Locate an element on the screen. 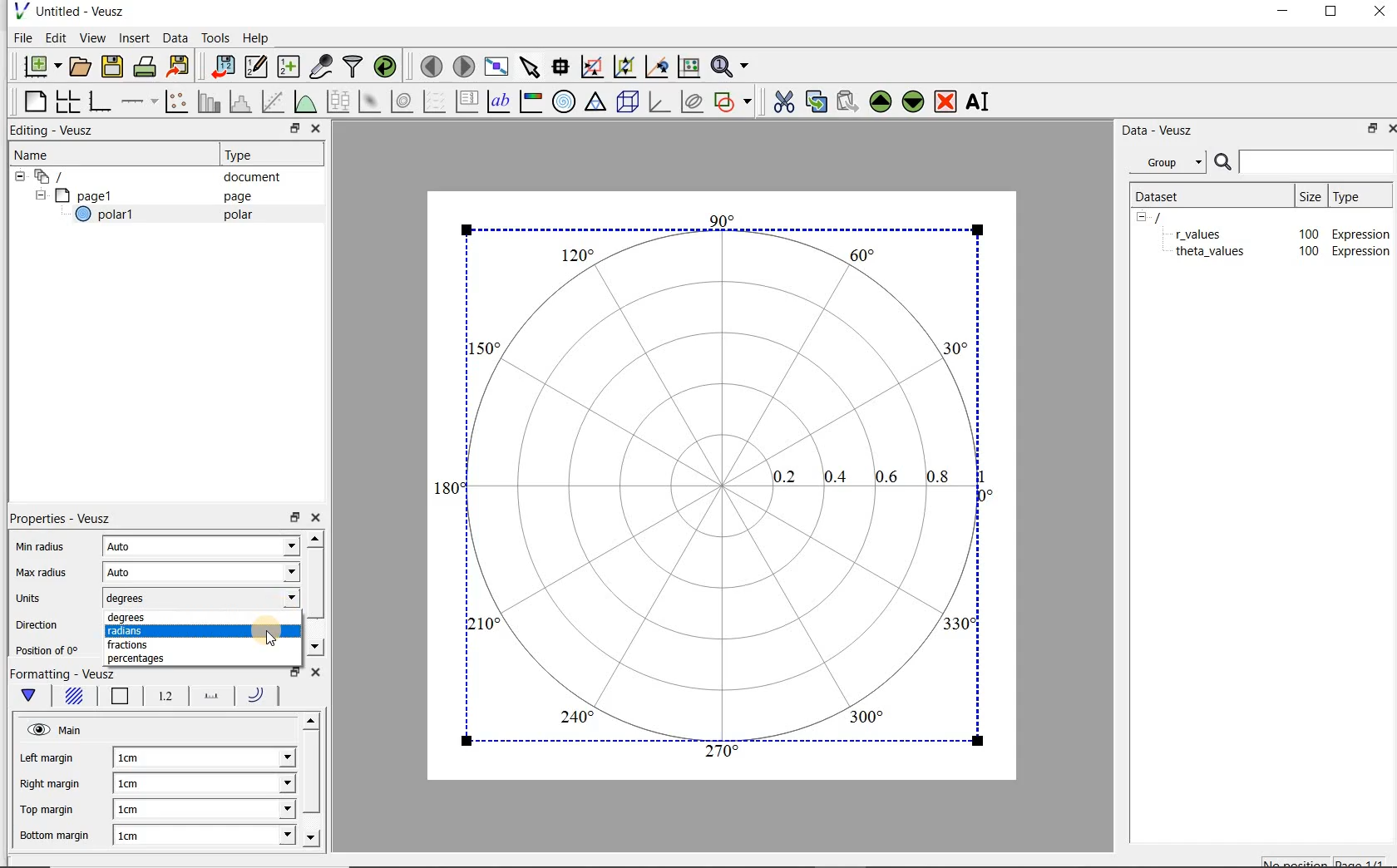 This screenshot has height=868, width=1397. Untitled - Veusz is located at coordinates (67, 10).